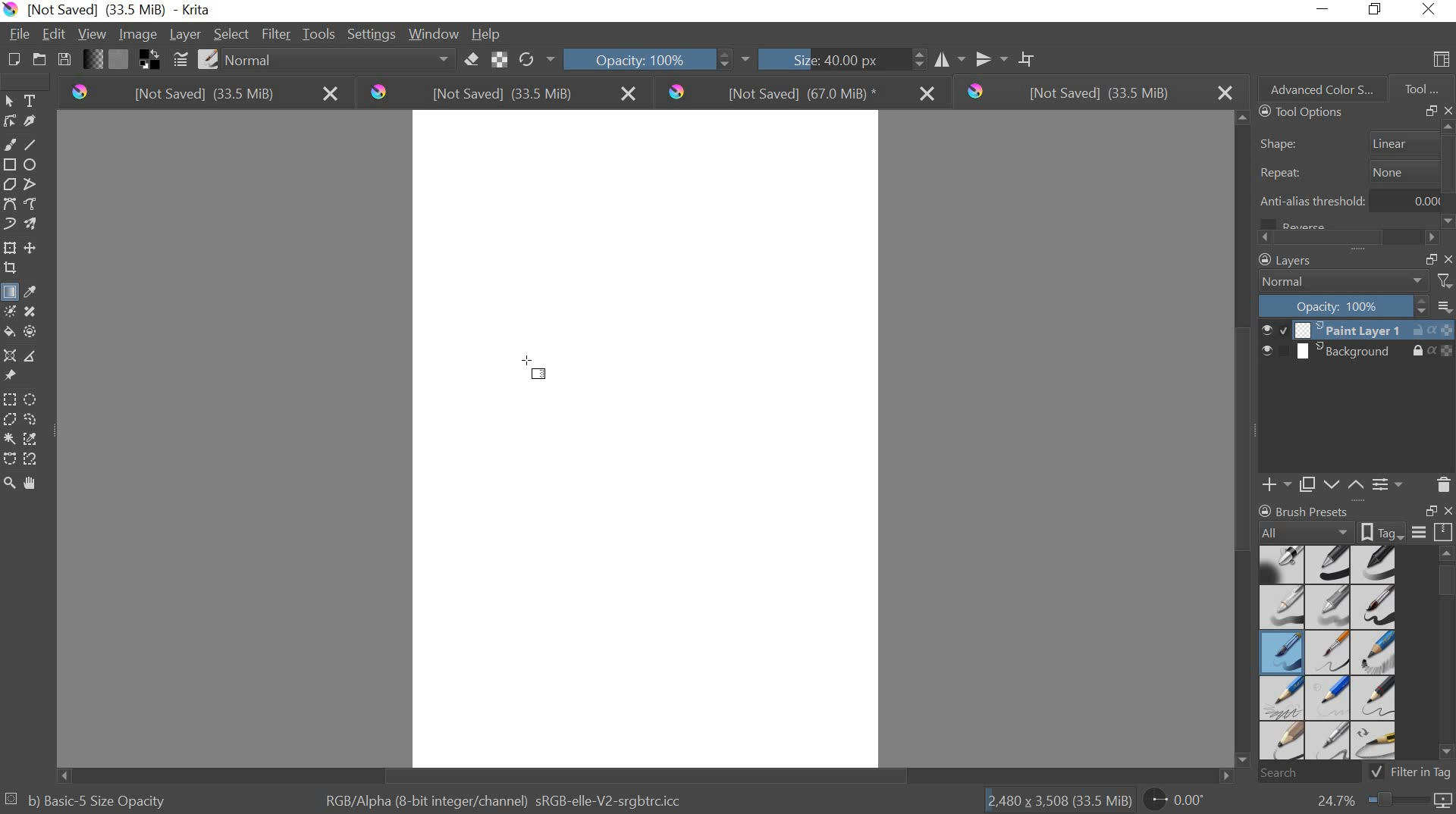  I want to click on rectangular selection, so click(10, 398).